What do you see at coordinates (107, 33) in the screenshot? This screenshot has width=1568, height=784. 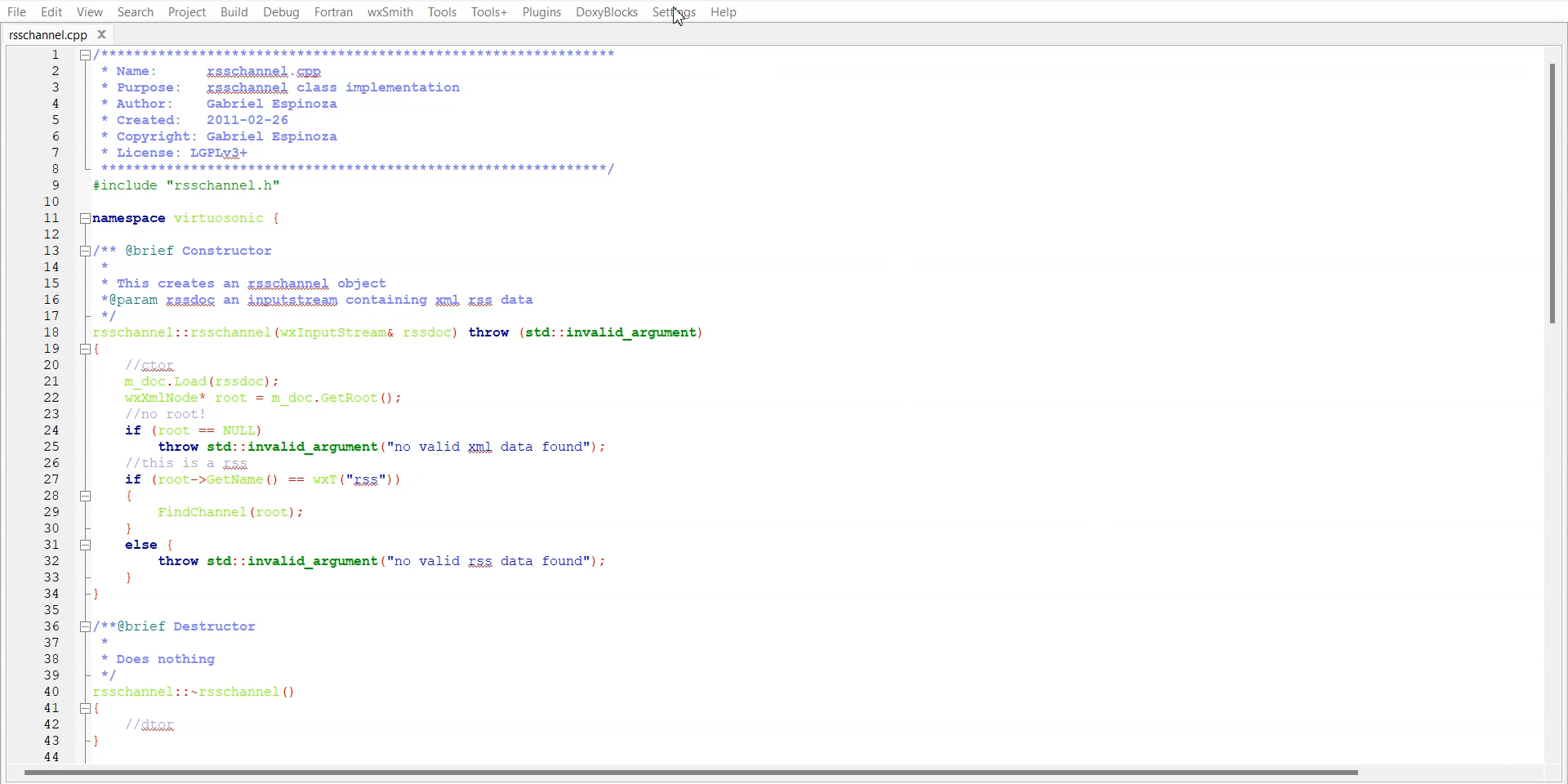 I see `Close` at bounding box center [107, 33].